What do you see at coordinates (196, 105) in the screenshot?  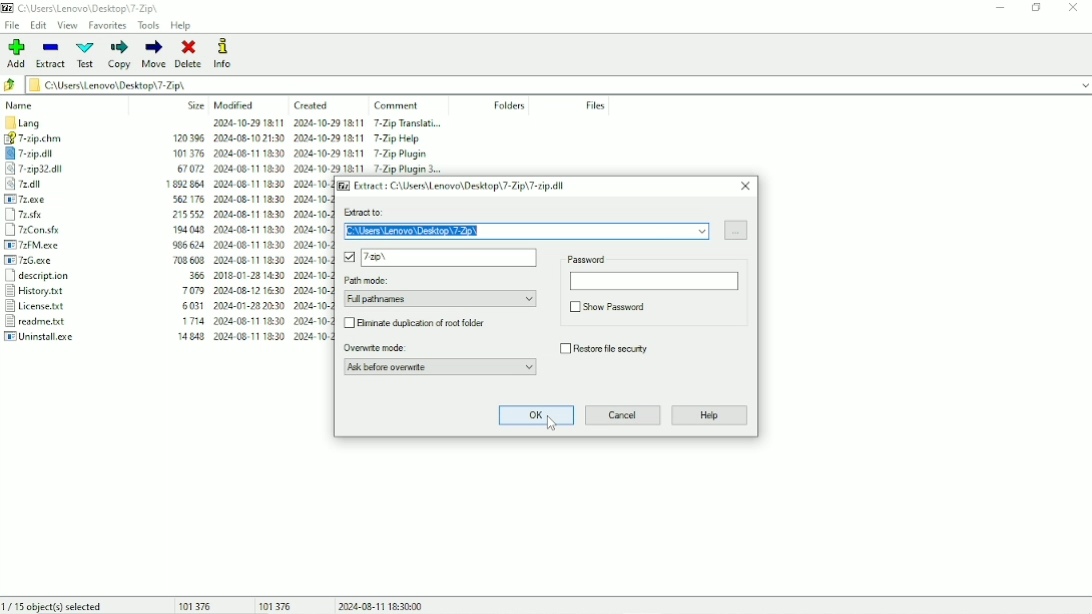 I see `Size` at bounding box center [196, 105].